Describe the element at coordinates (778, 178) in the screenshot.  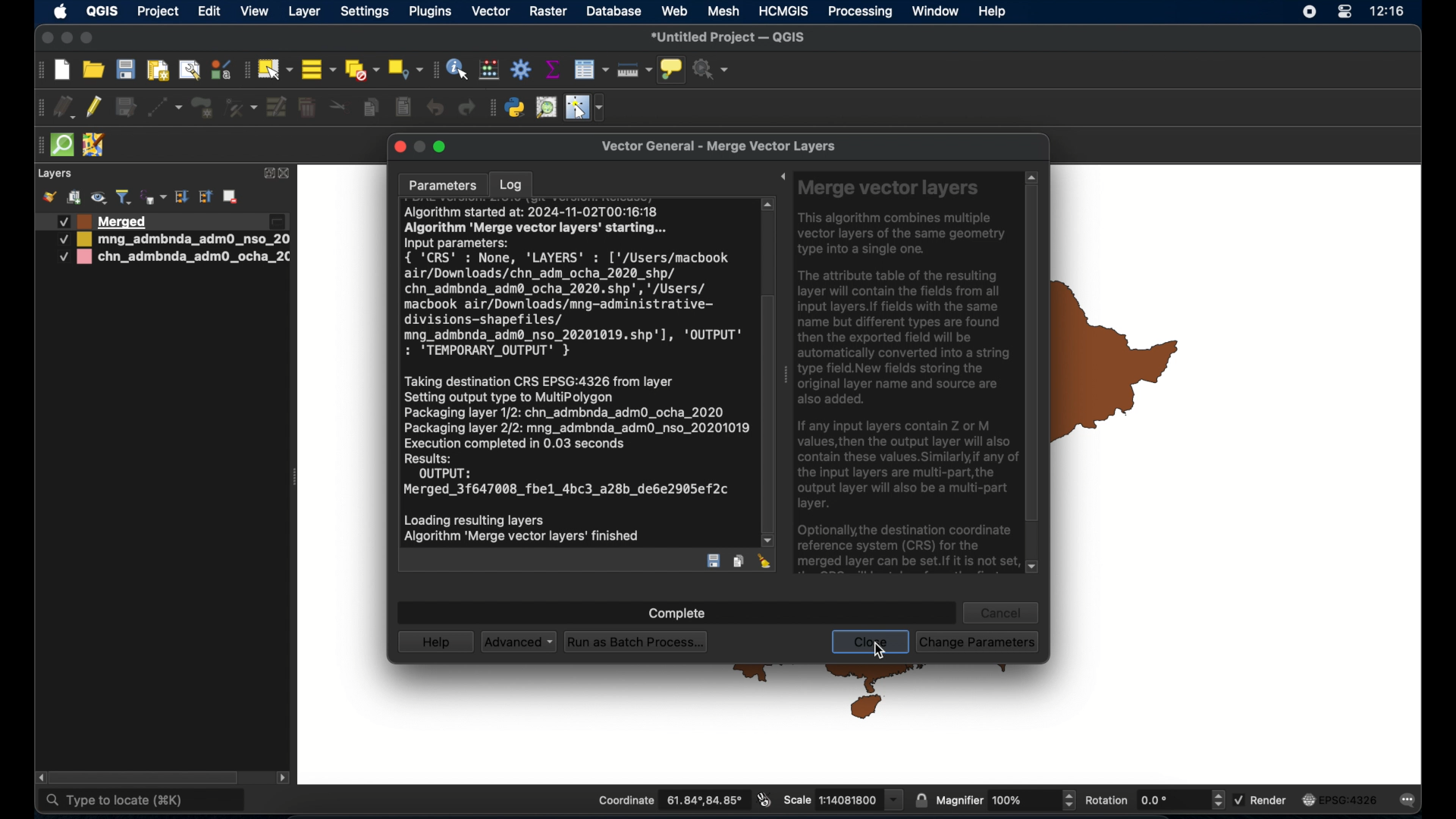
I see `expand` at that location.